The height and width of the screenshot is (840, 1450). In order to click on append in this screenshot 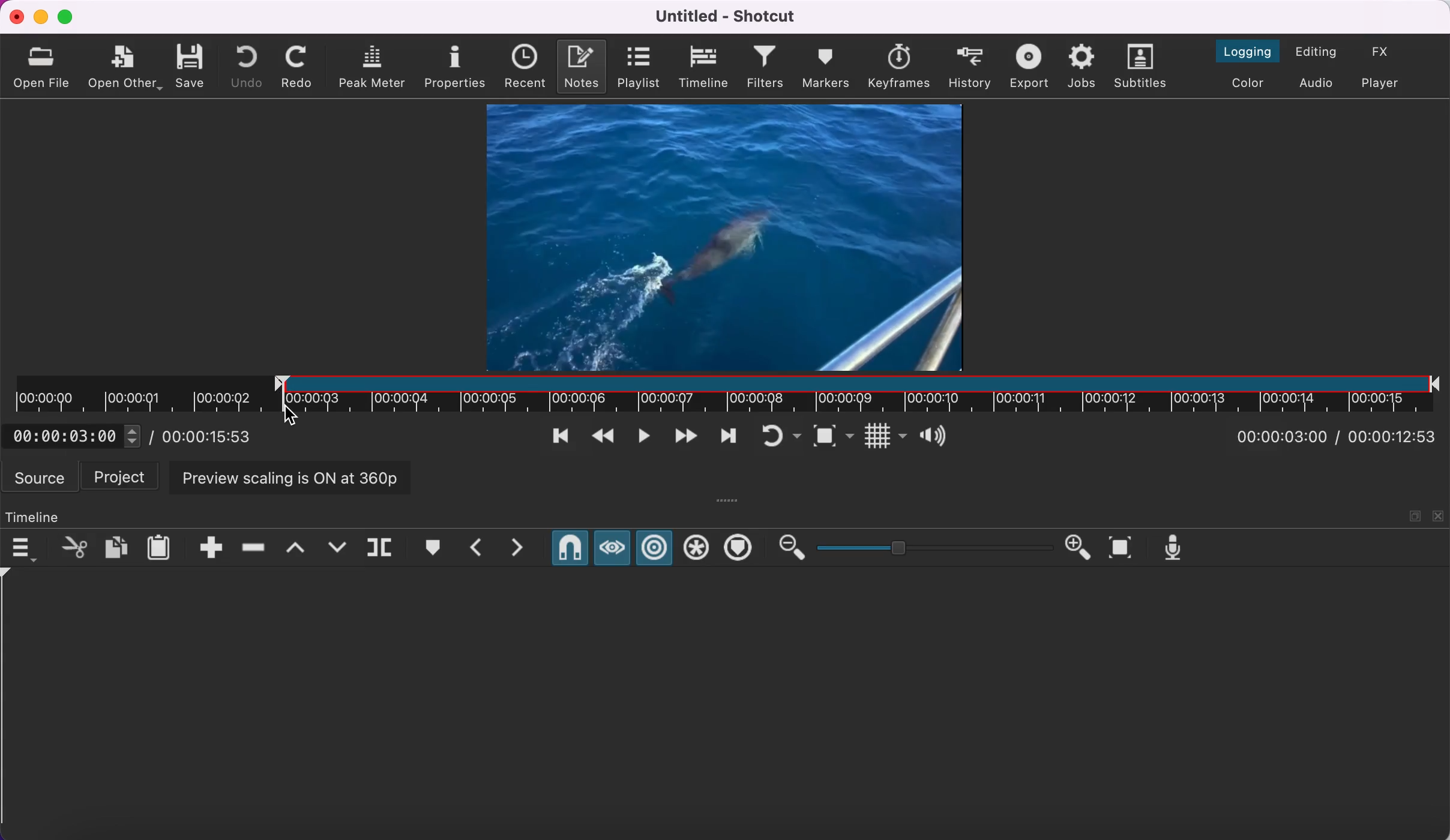, I will do `click(210, 547)`.